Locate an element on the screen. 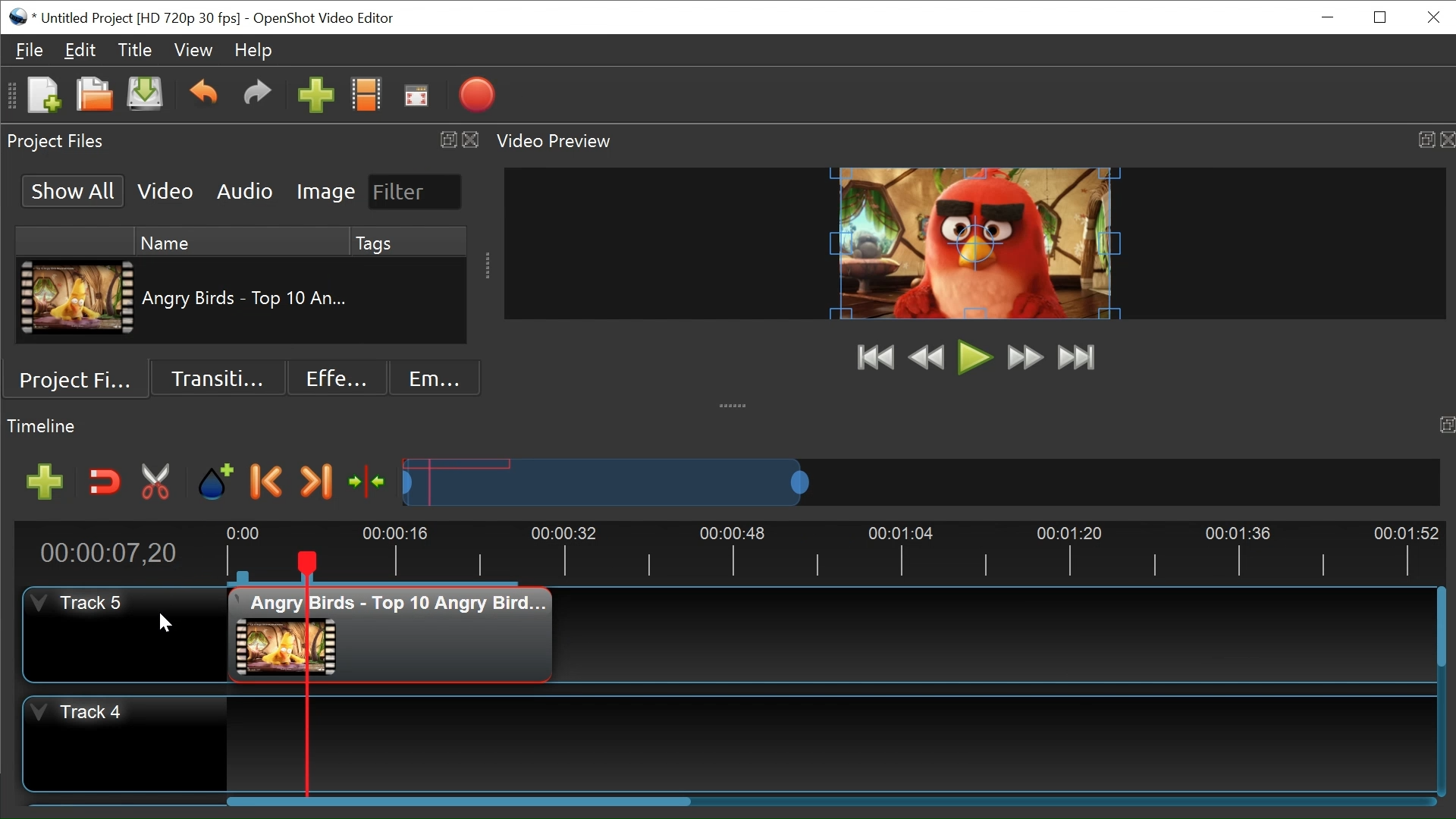  minimize is located at coordinates (1330, 17).